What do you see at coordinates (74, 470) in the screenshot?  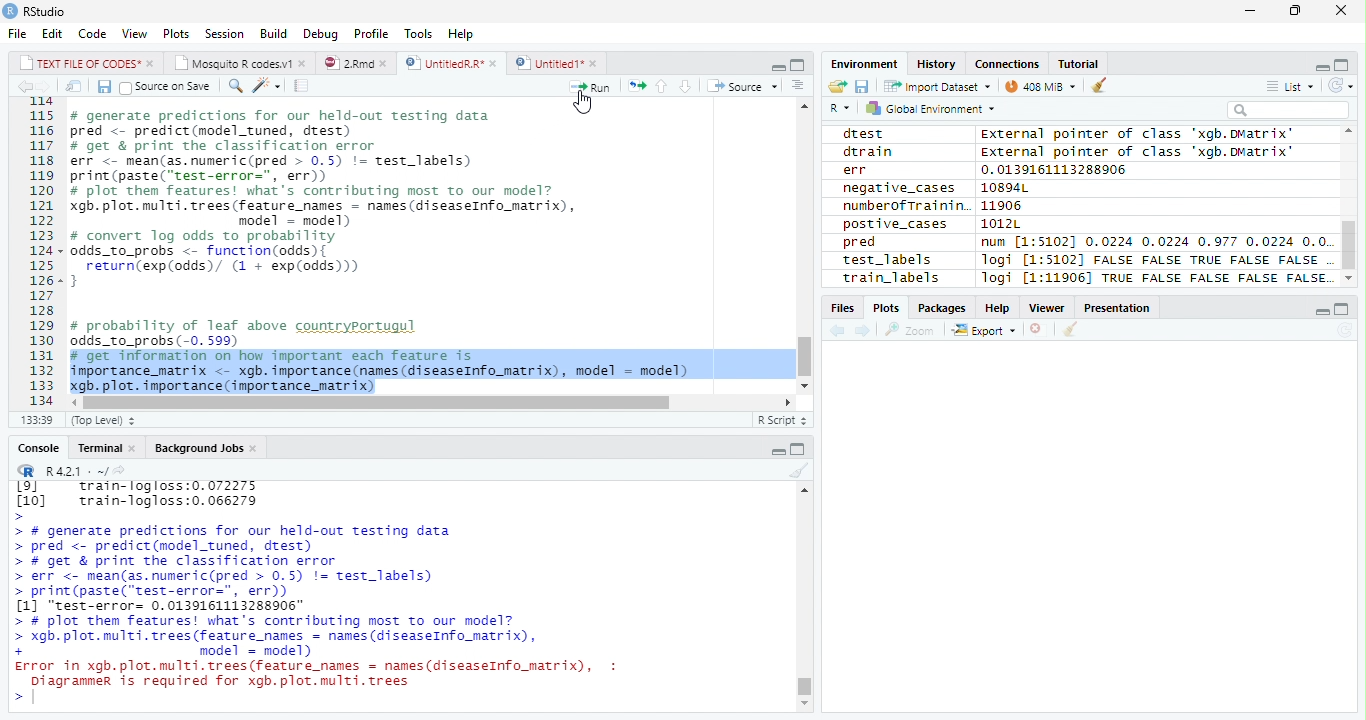 I see `R 4.2.1 .~/` at bounding box center [74, 470].